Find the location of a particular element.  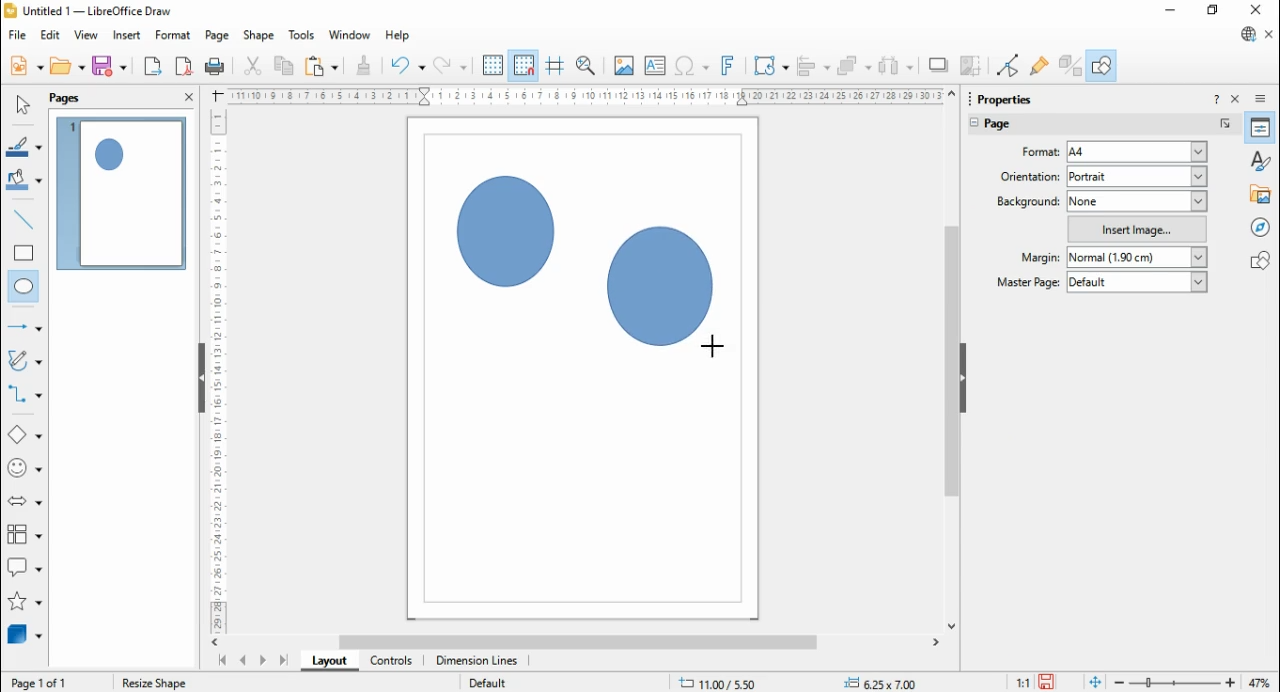

Scale is located at coordinates (585, 96).